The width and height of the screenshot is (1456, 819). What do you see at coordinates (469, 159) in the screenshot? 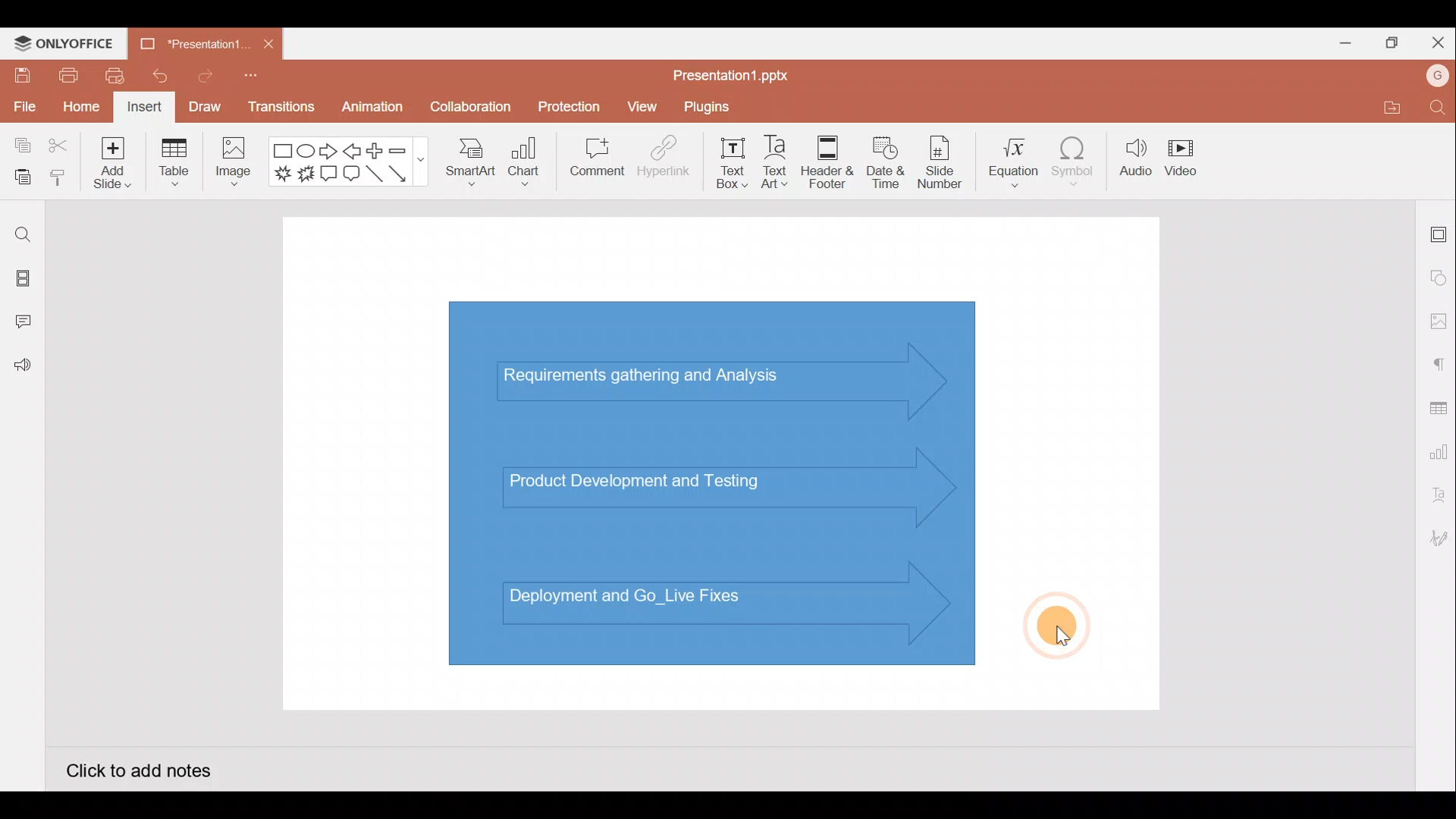
I see `SmartArt` at bounding box center [469, 159].